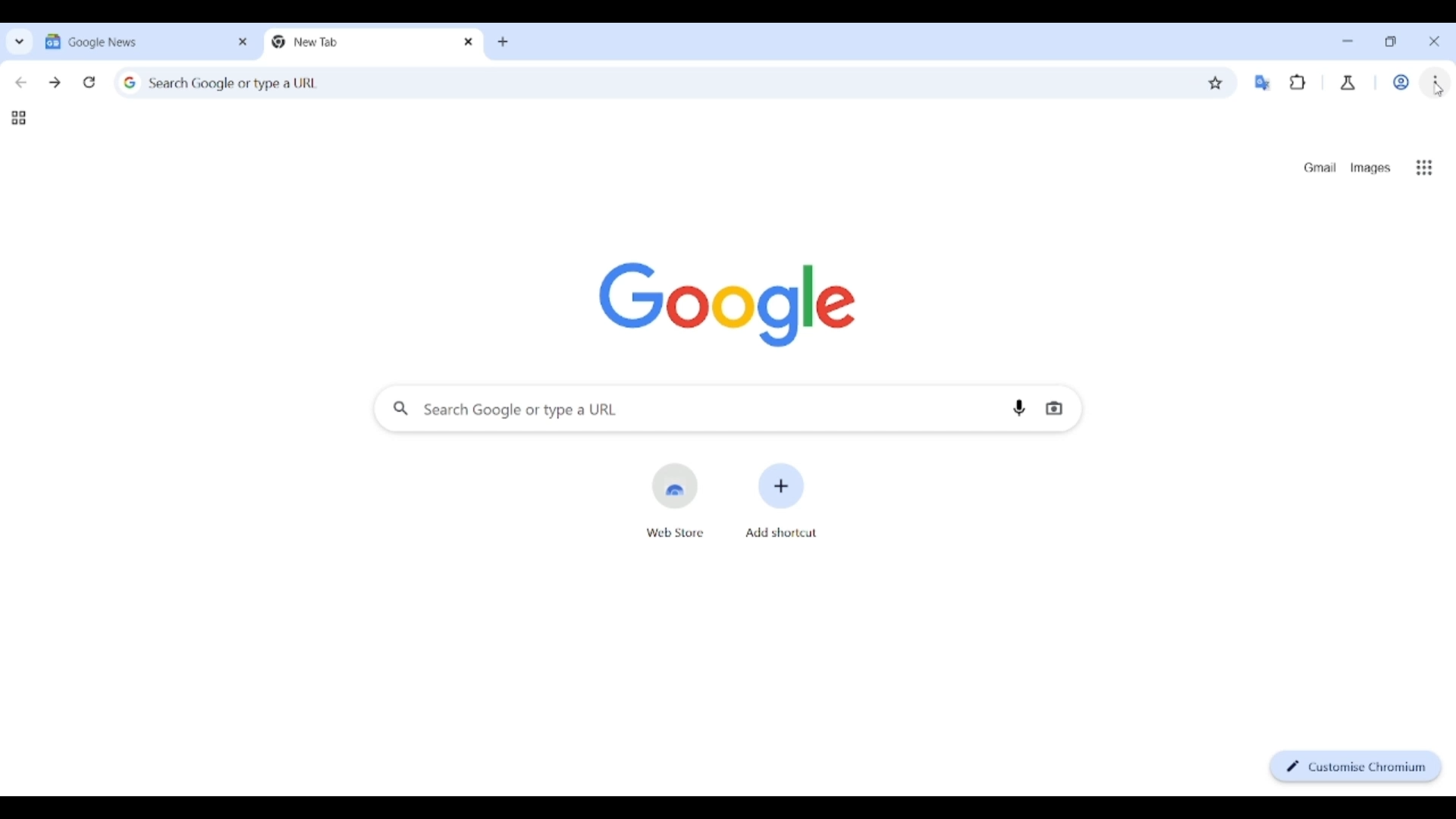 Image resolution: width=1456 pixels, height=819 pixels. I want to click on Close tab 1, so click(243, 42).